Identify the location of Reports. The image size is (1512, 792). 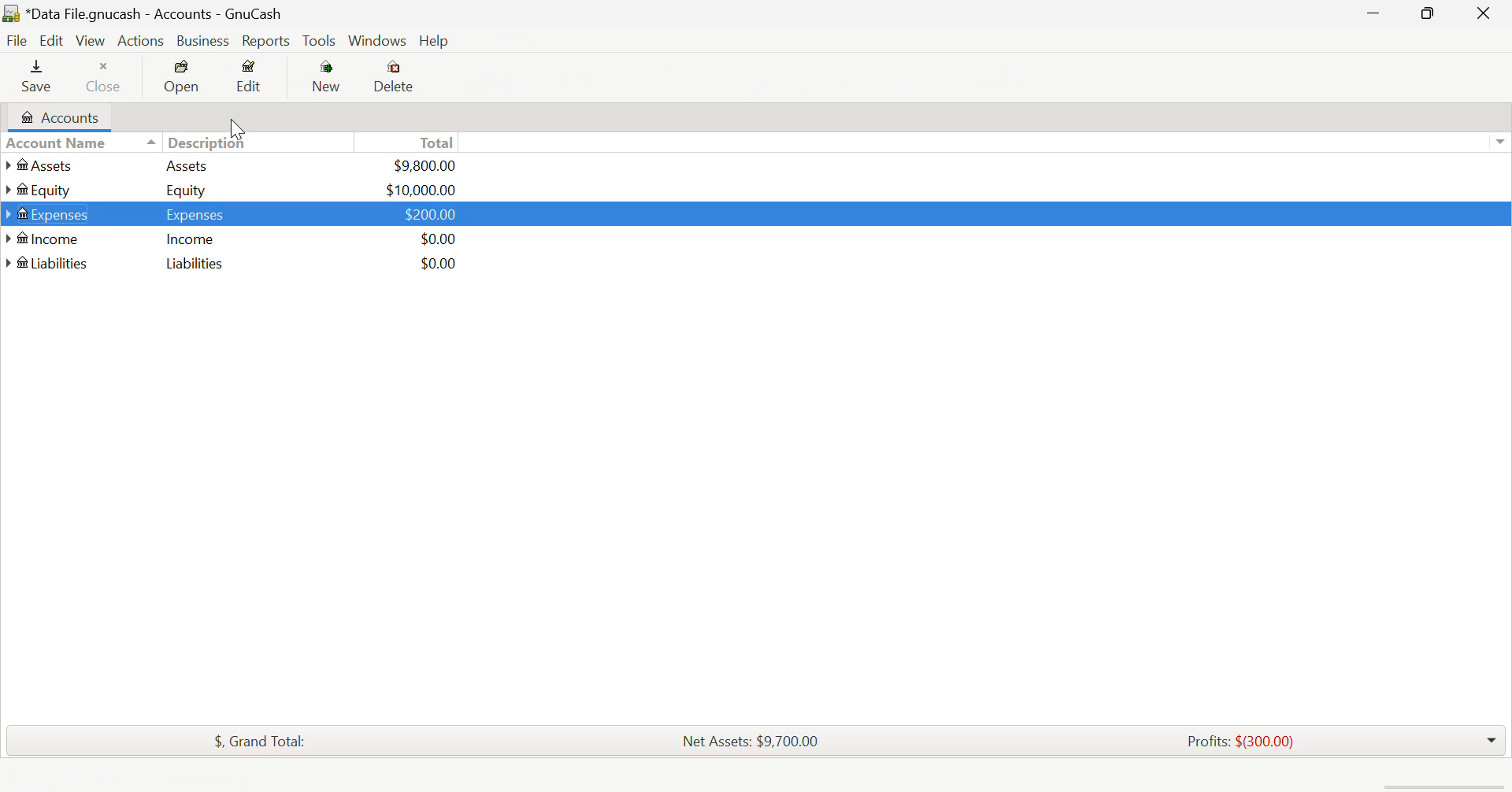
(268, 42).